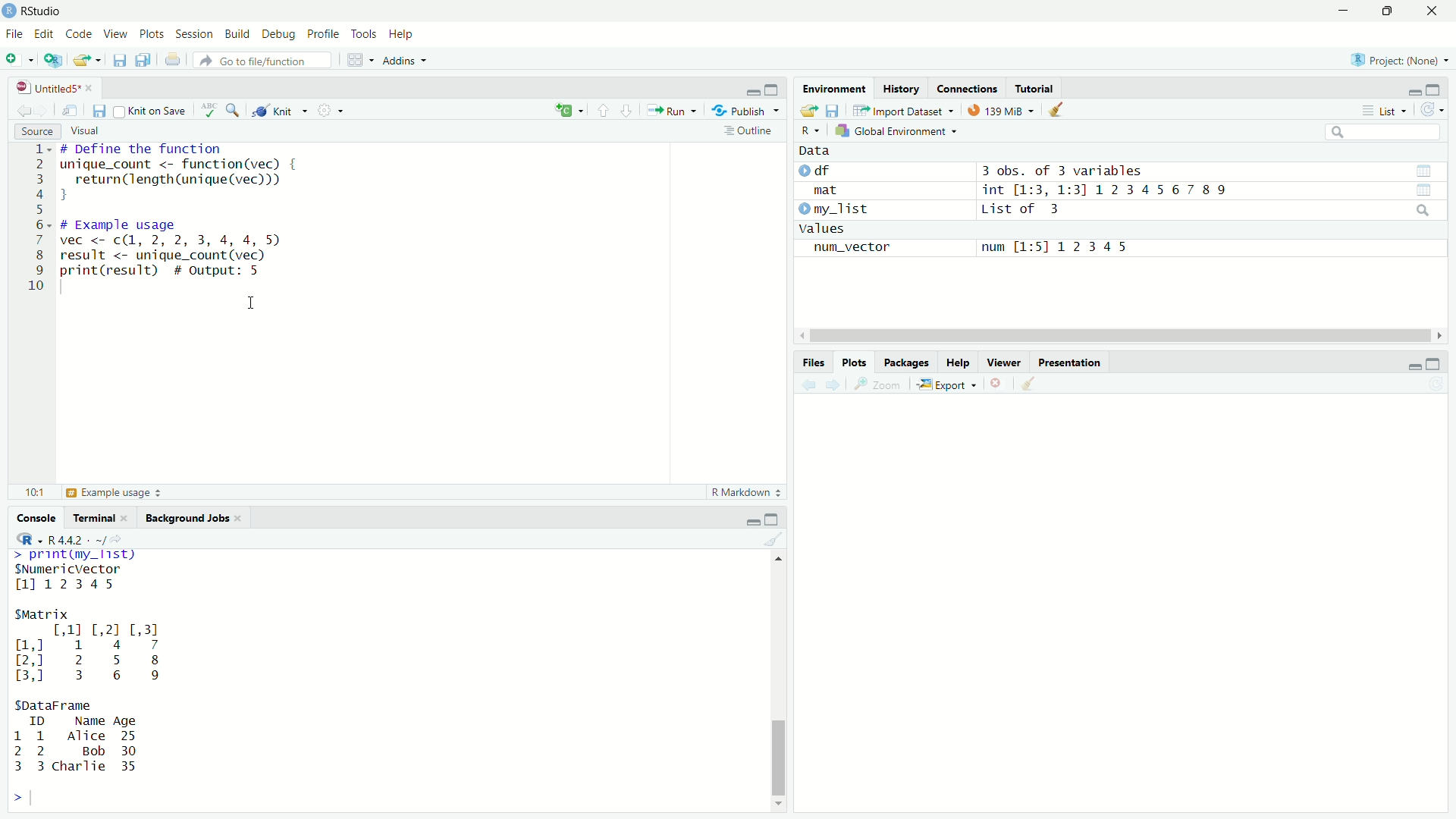 Image resolution: width=1456 pixels, height=819 pixels. Describe the element at coordinates (328, 110) in the screenshot. I see `settings` at that location.